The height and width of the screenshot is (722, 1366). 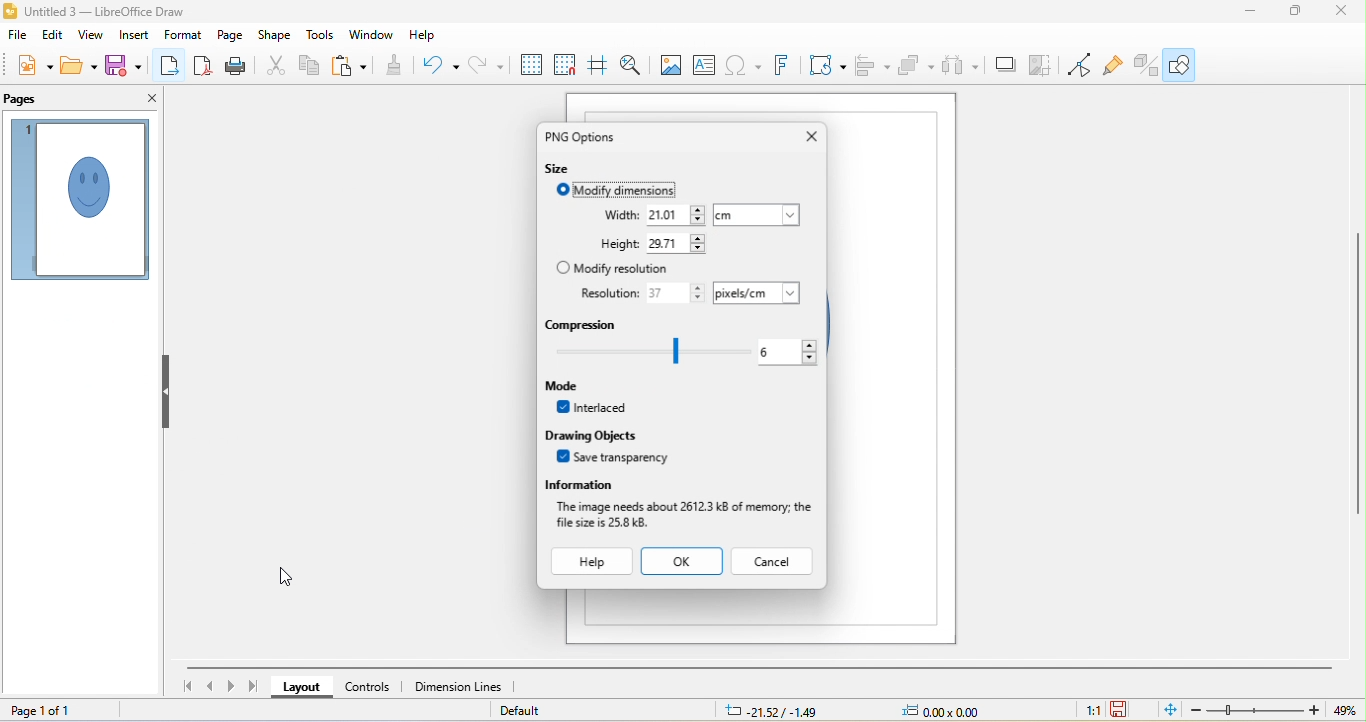 I want to click on PNG options, so click(x=586, y=139).